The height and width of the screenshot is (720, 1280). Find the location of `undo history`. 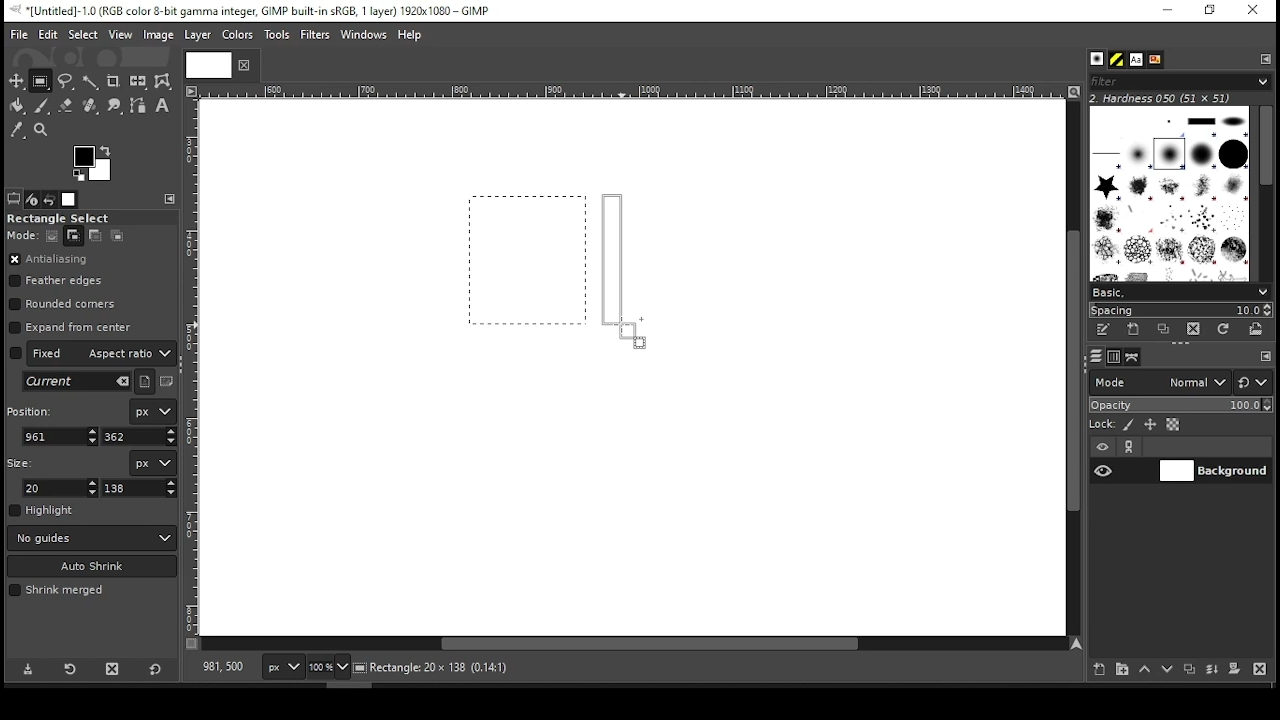

undo history is located at coordinates (51, 200).